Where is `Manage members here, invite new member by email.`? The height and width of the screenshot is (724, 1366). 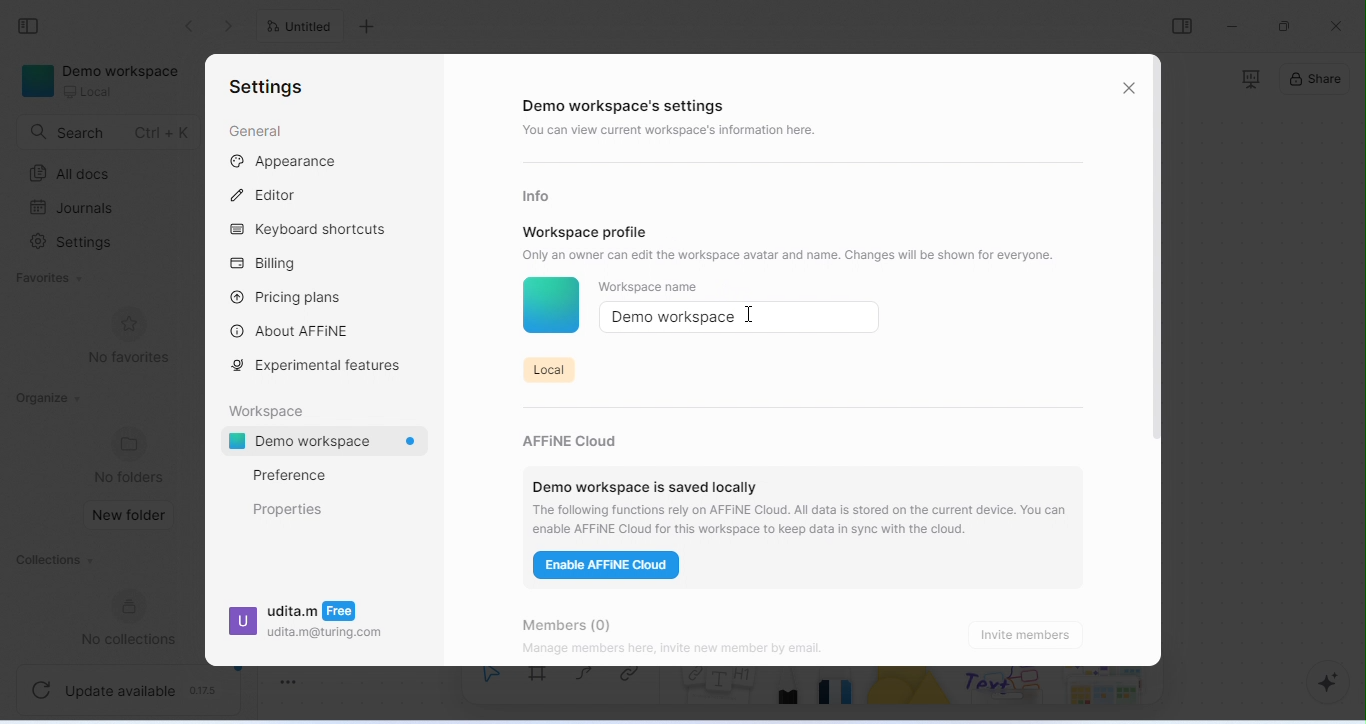 Manage members here, invite new member by email. is located at coordinates (714, 650).